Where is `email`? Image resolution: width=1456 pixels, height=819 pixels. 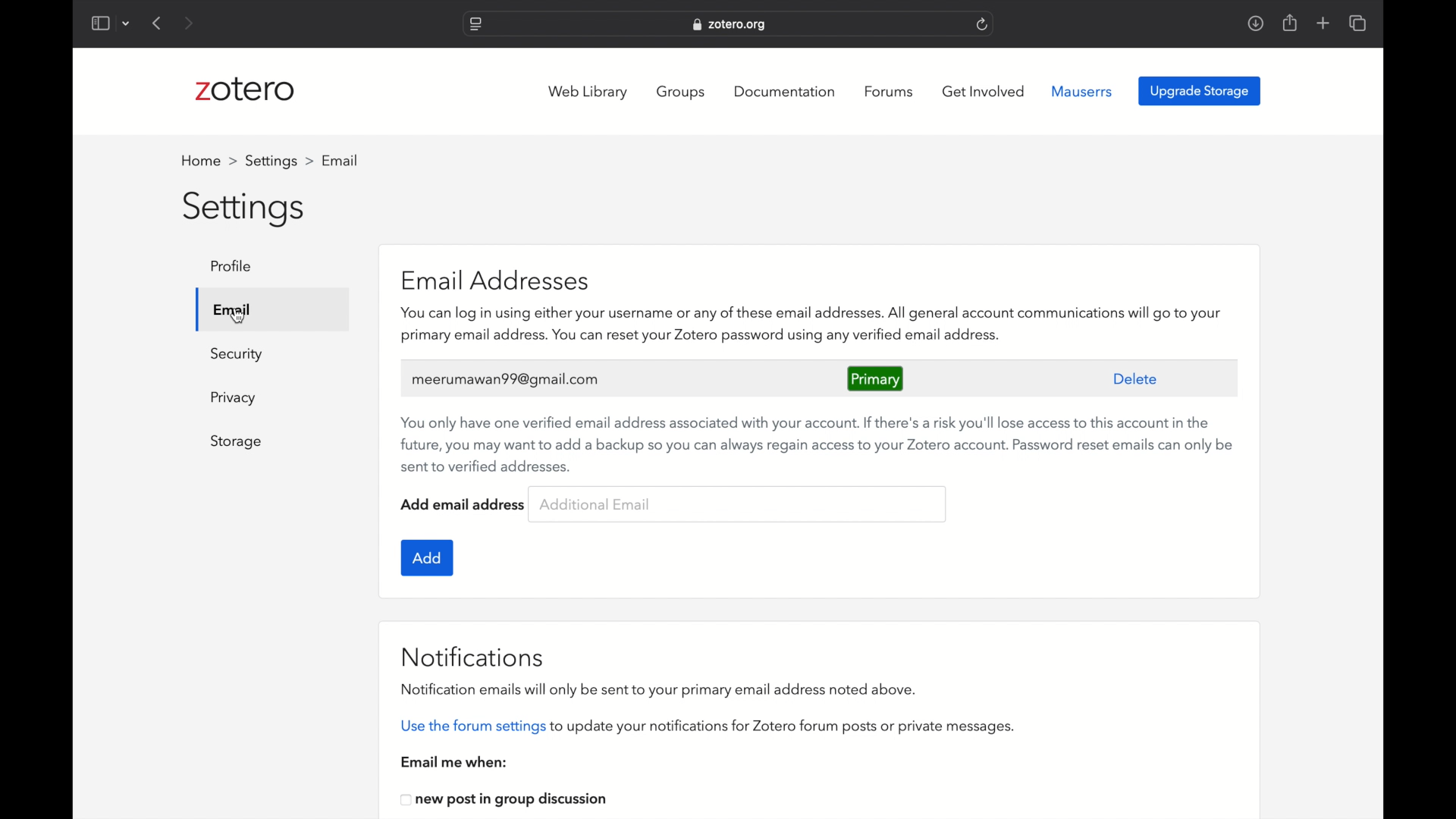
email is located at coordinates (231, 309).